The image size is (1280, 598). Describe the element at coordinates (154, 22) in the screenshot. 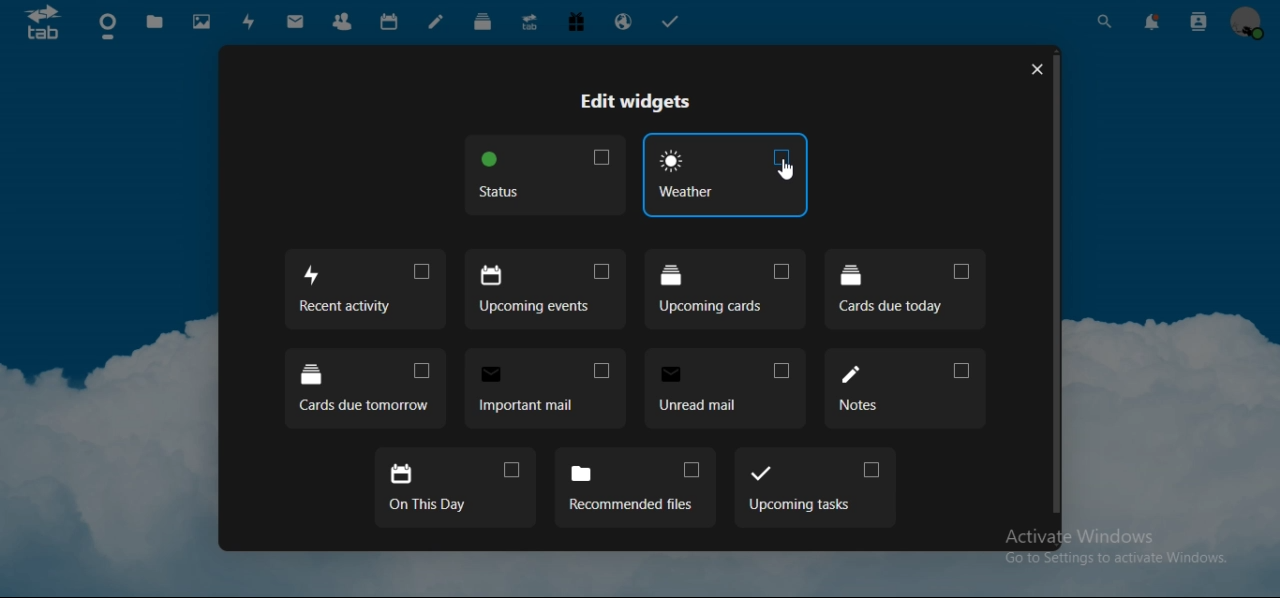

I see `files` at that location.